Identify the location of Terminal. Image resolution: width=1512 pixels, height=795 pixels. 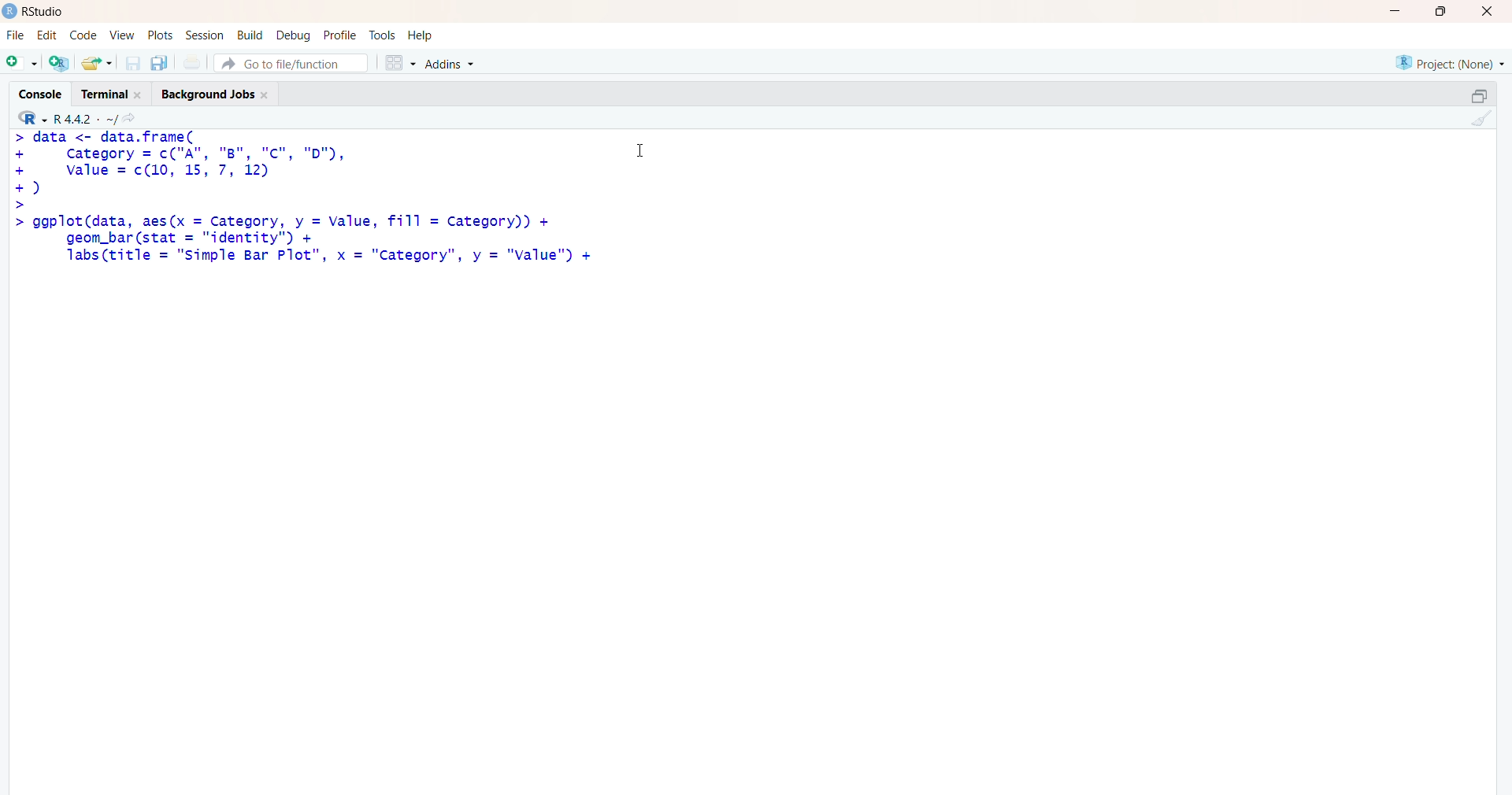
(109, 92).